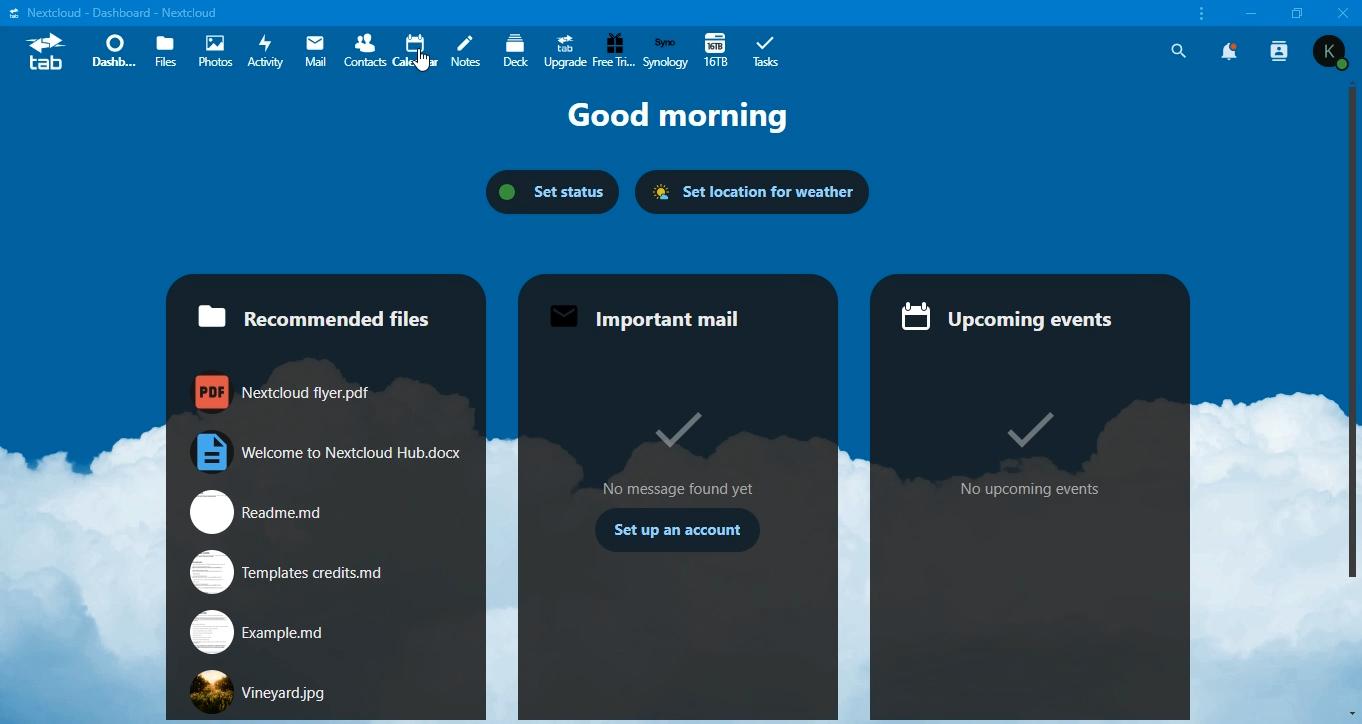 The height and width of the screenshot is (724, 1362). I want to click on templates credits.md, so click(286, 572).